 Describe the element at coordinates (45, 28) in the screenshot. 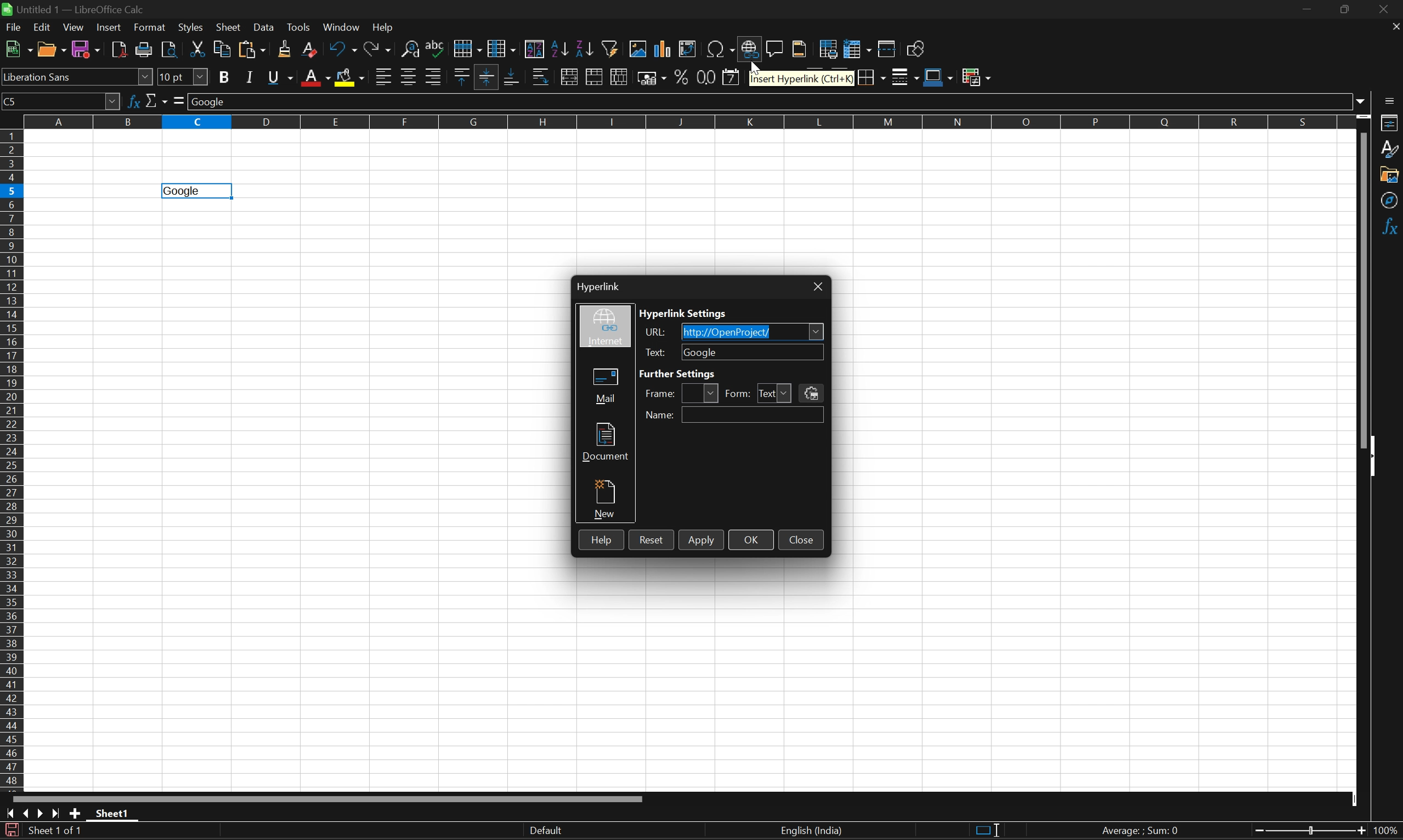

I see `Edit` at that location.